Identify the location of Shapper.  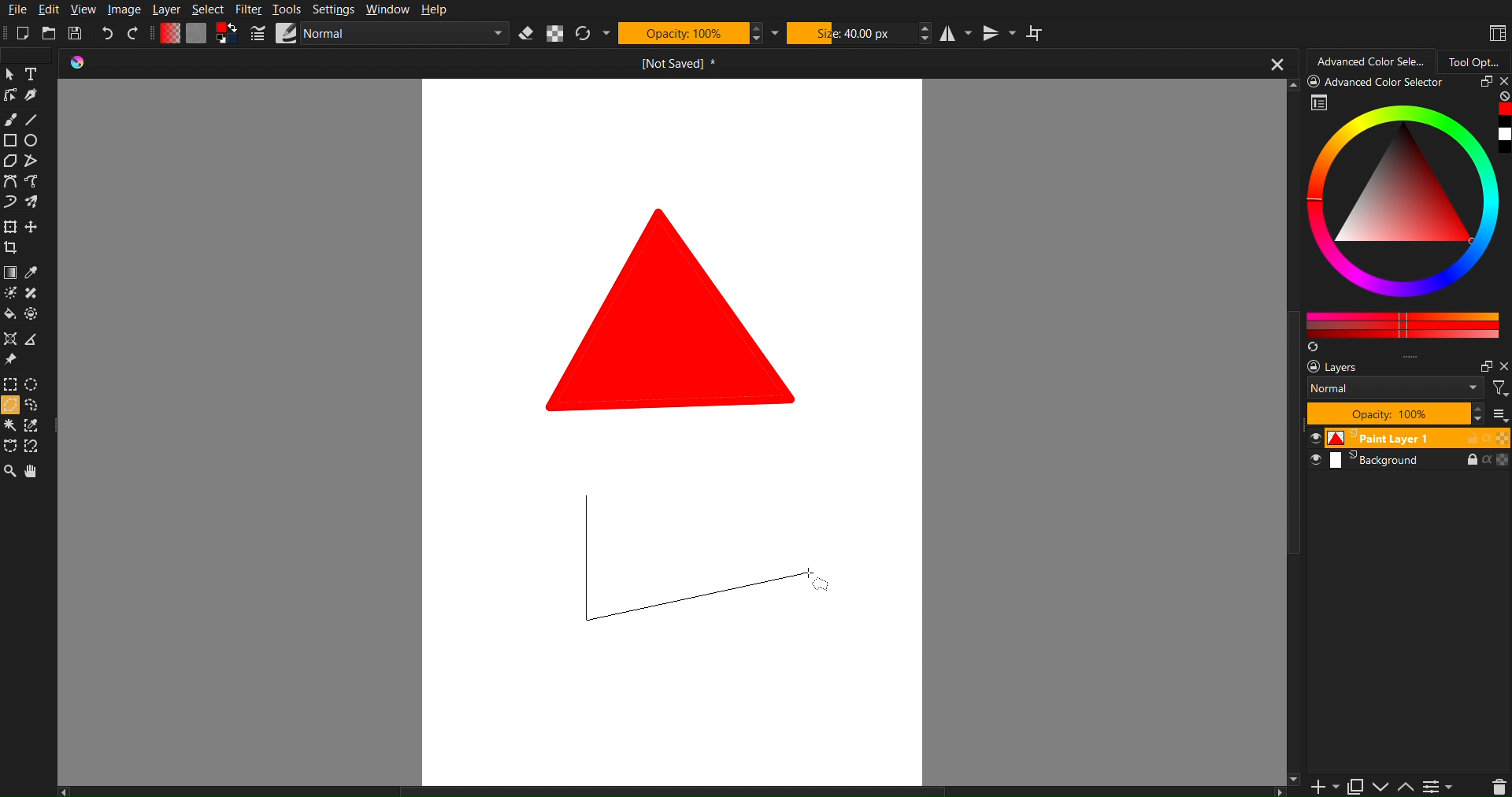
(9, 339).